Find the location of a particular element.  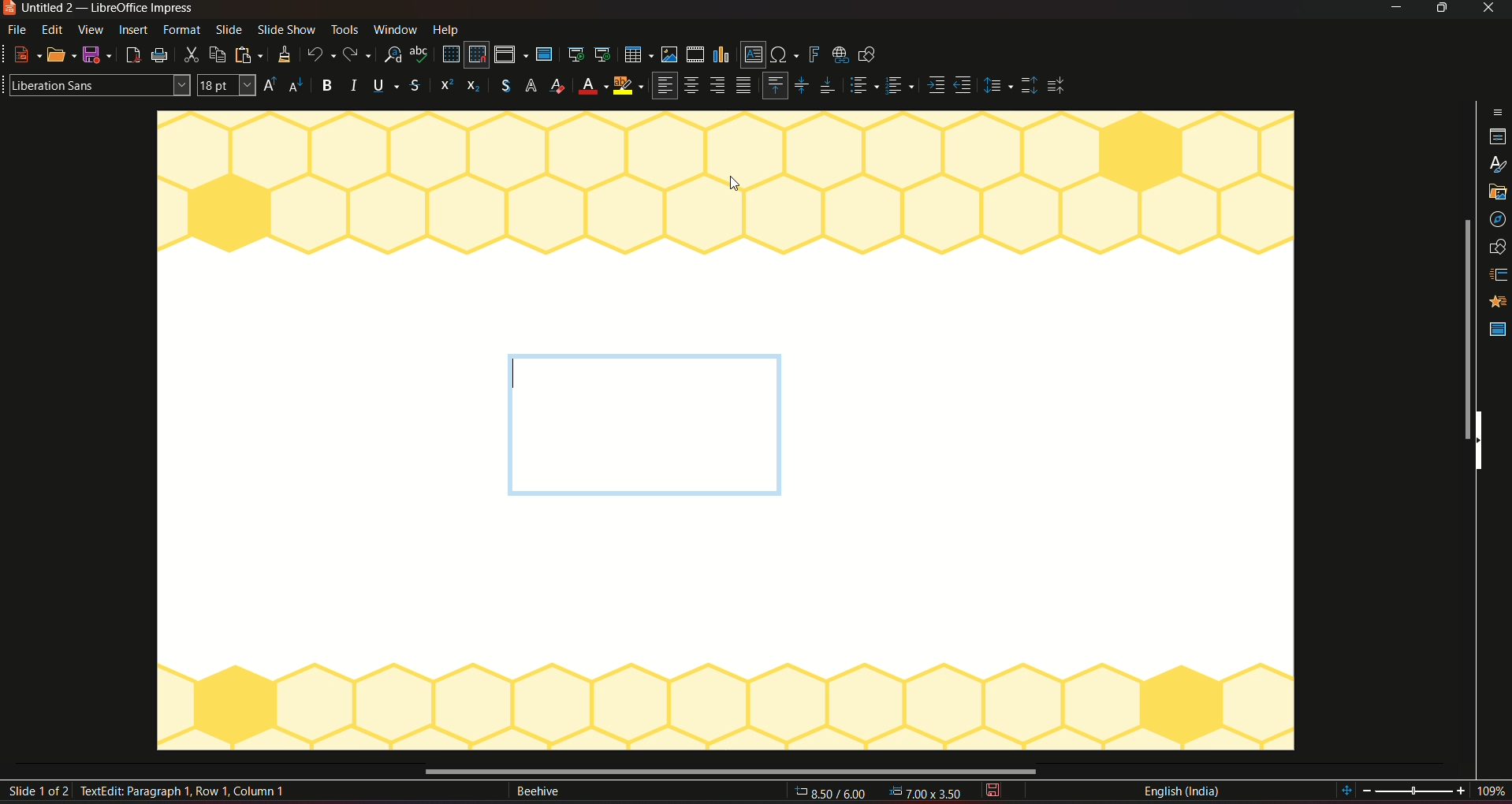

Master slide is located at coordinates (1496, 330).